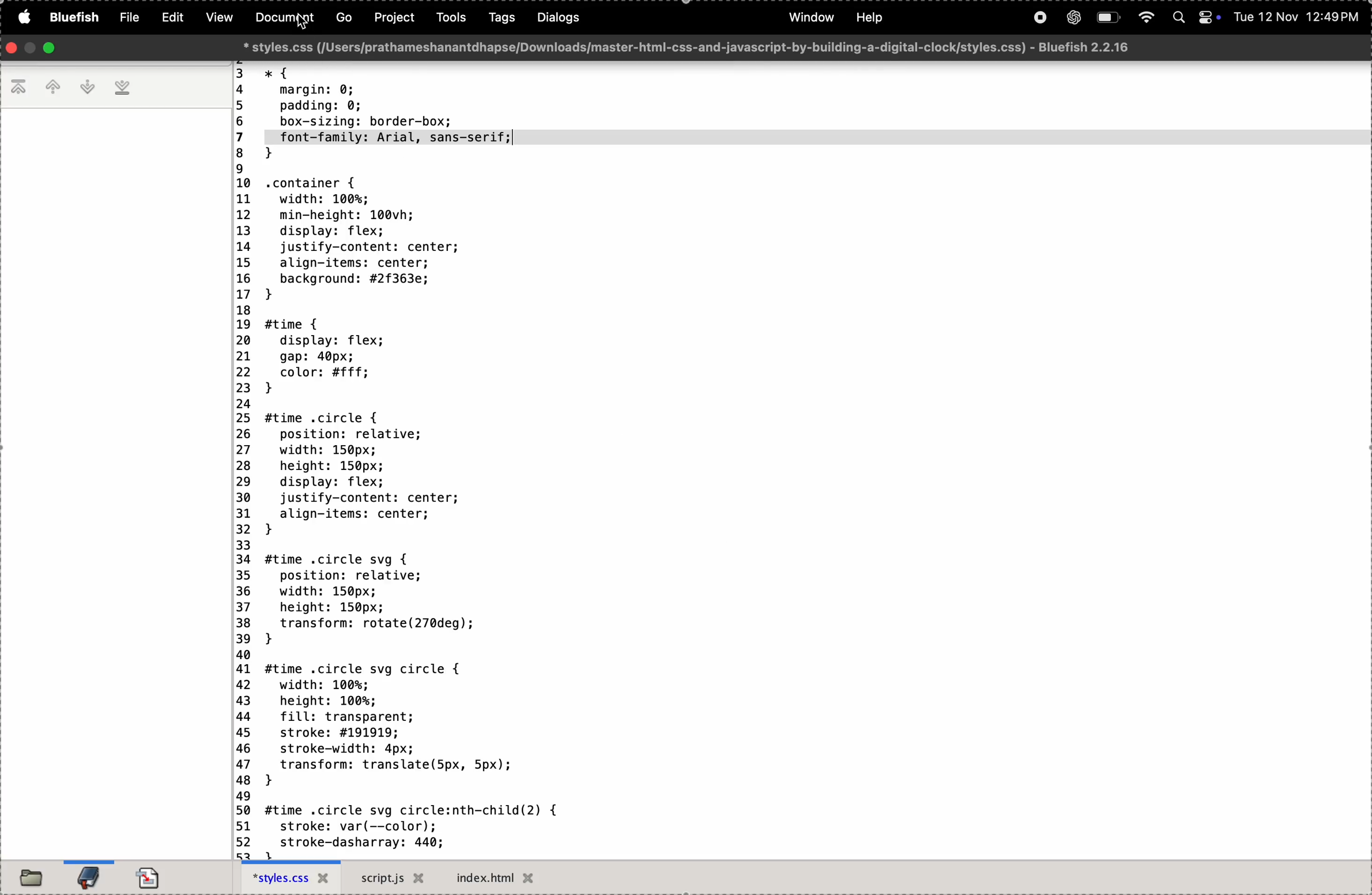 Image resolution: width=1372 pixels, height=895 pixels. I want to click on previous book mark, so click(54, 87).